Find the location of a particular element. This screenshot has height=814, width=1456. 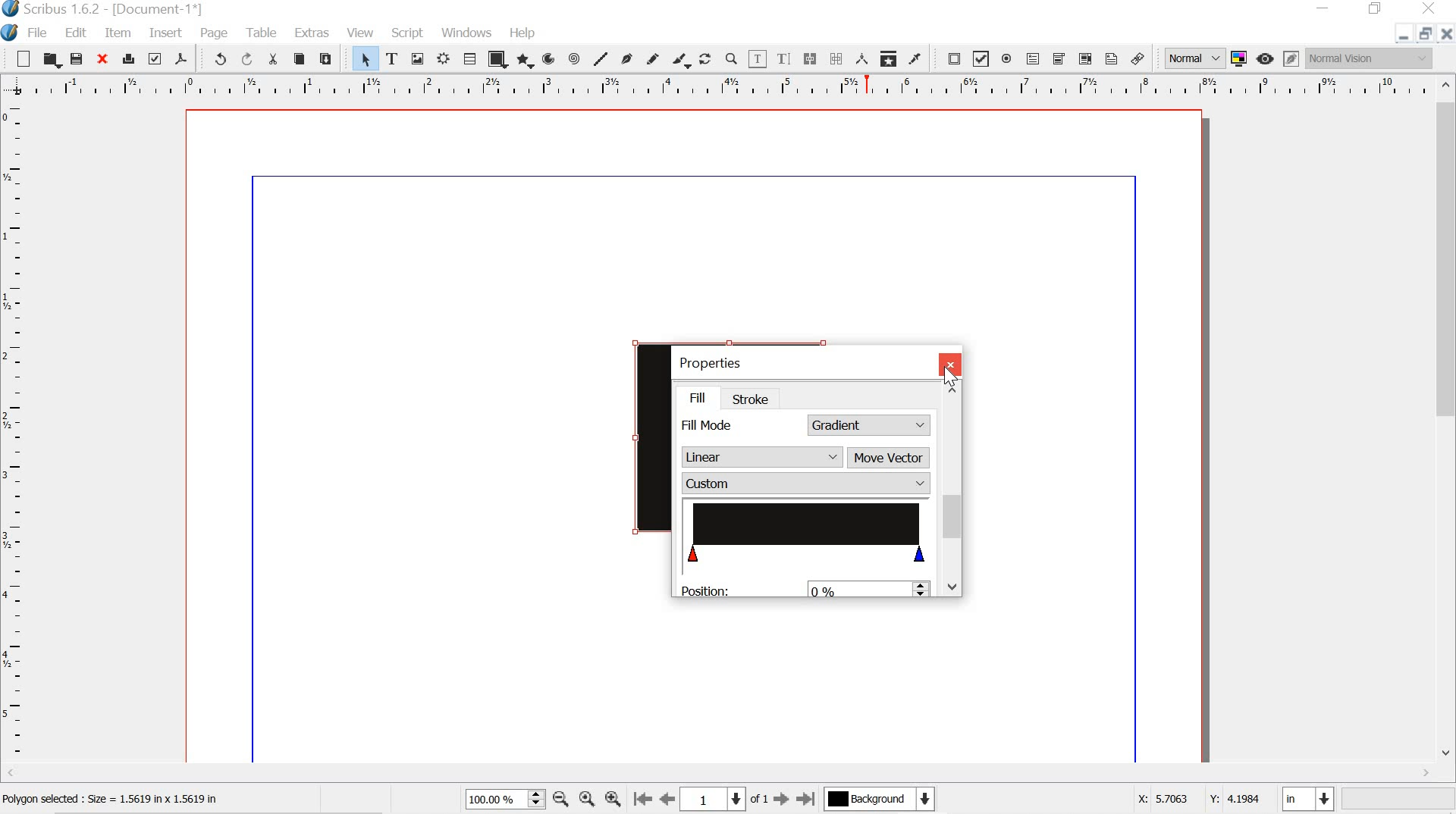

render frame is located at coordinates (444, 59).